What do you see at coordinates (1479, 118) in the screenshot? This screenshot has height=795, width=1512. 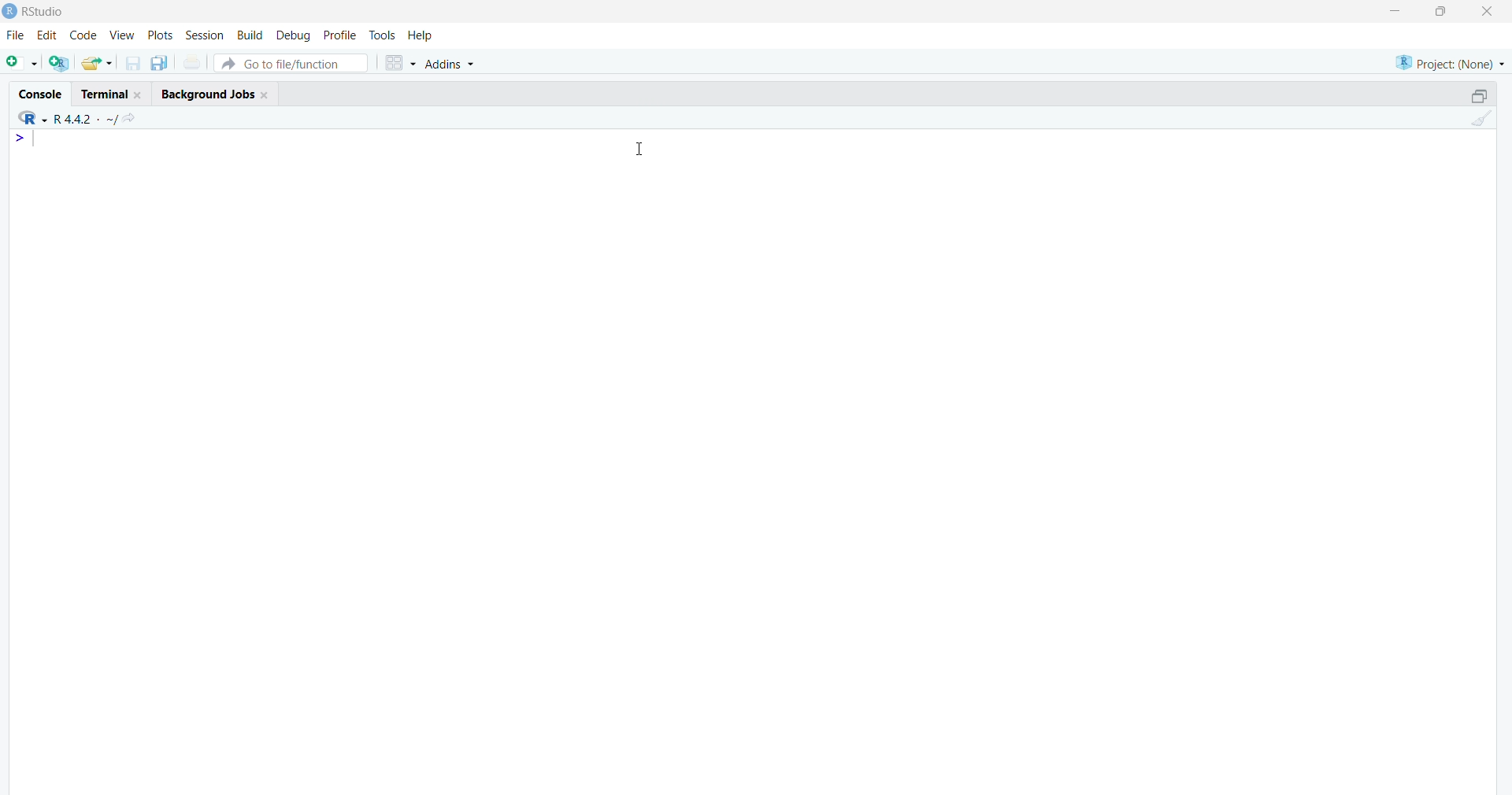 I see `clear console` at bounding box center [1479, 118].